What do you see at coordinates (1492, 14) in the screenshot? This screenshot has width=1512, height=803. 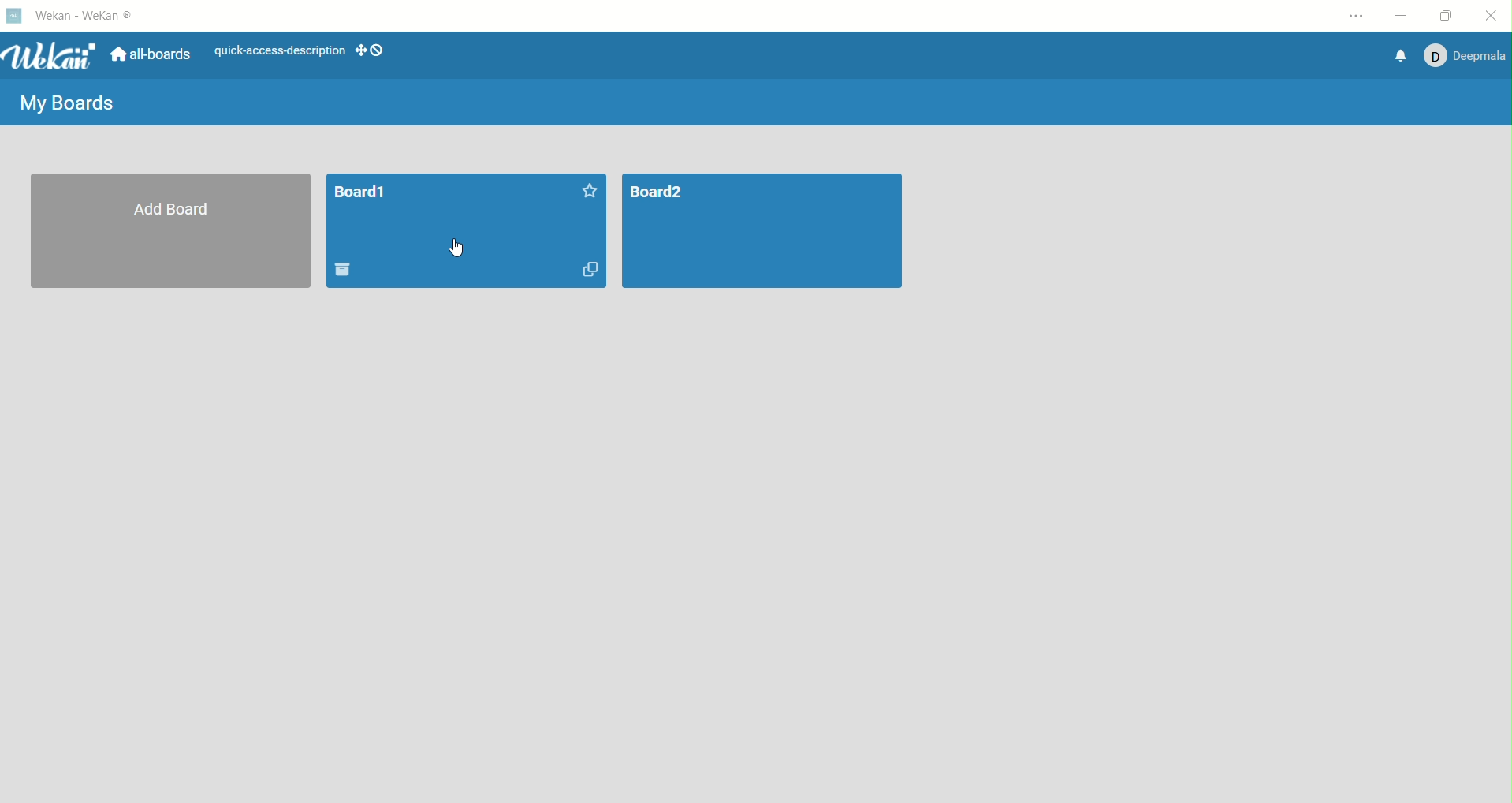 I see `close` at bounding box center [1492, 14].